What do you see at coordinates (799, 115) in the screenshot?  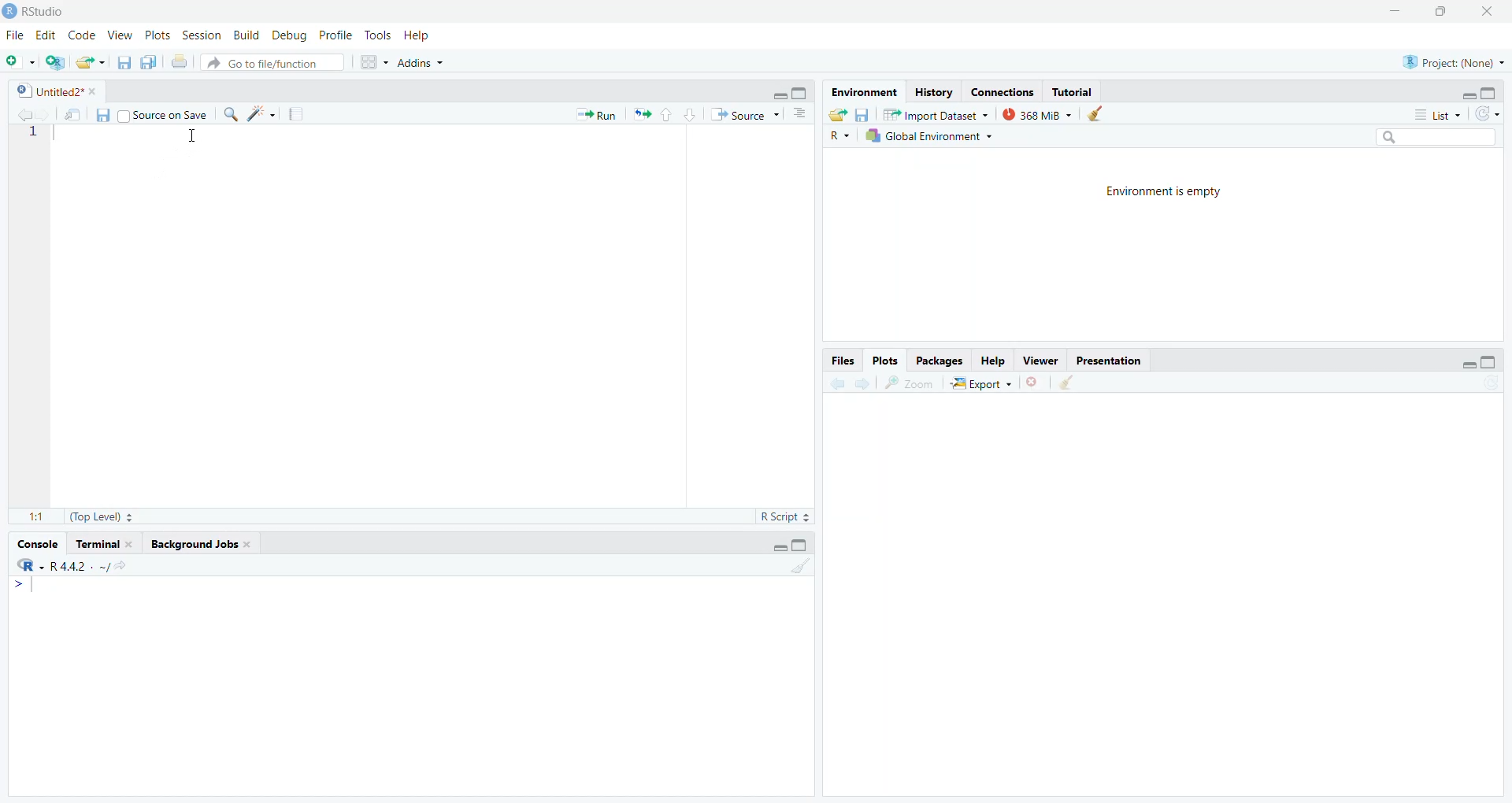 I see `options` at bounding box center [799, 115].